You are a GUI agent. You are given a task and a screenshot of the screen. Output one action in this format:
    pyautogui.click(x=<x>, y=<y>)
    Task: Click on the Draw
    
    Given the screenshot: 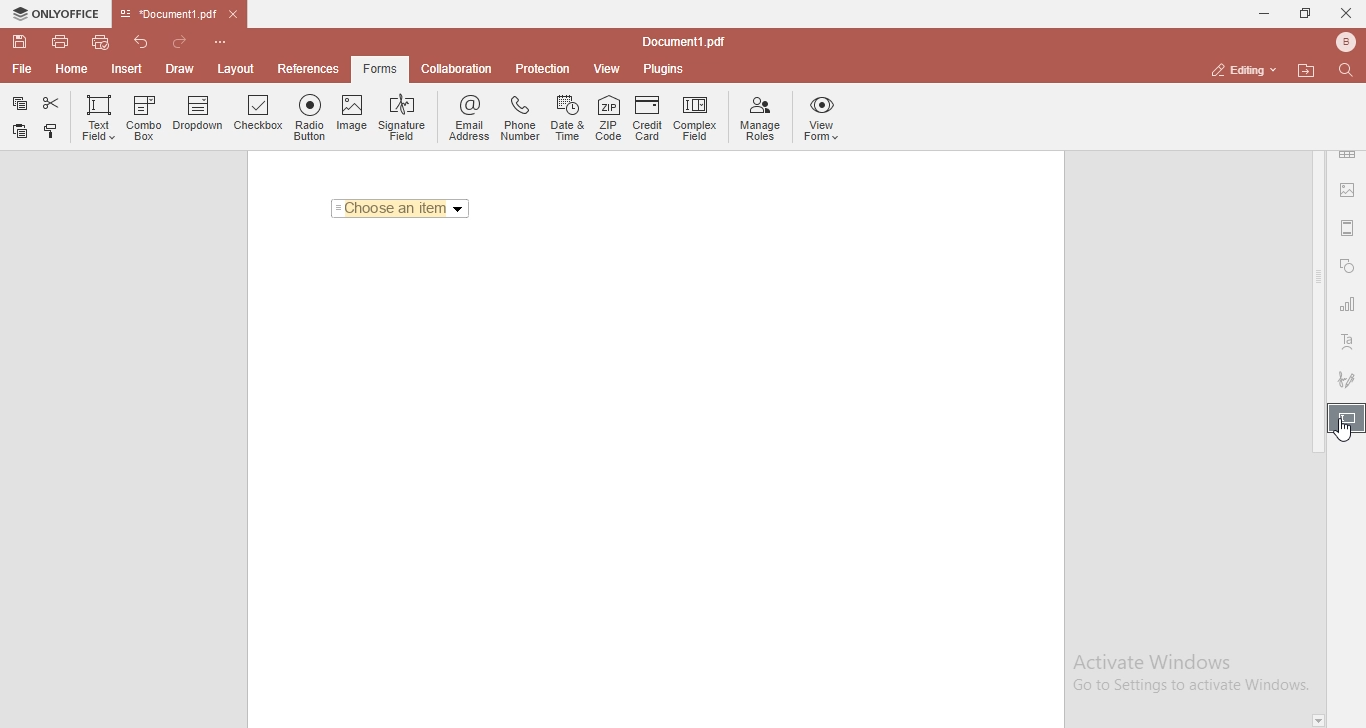 What is the action you would take?
    pyautogui.click(x=184, y=68)
    